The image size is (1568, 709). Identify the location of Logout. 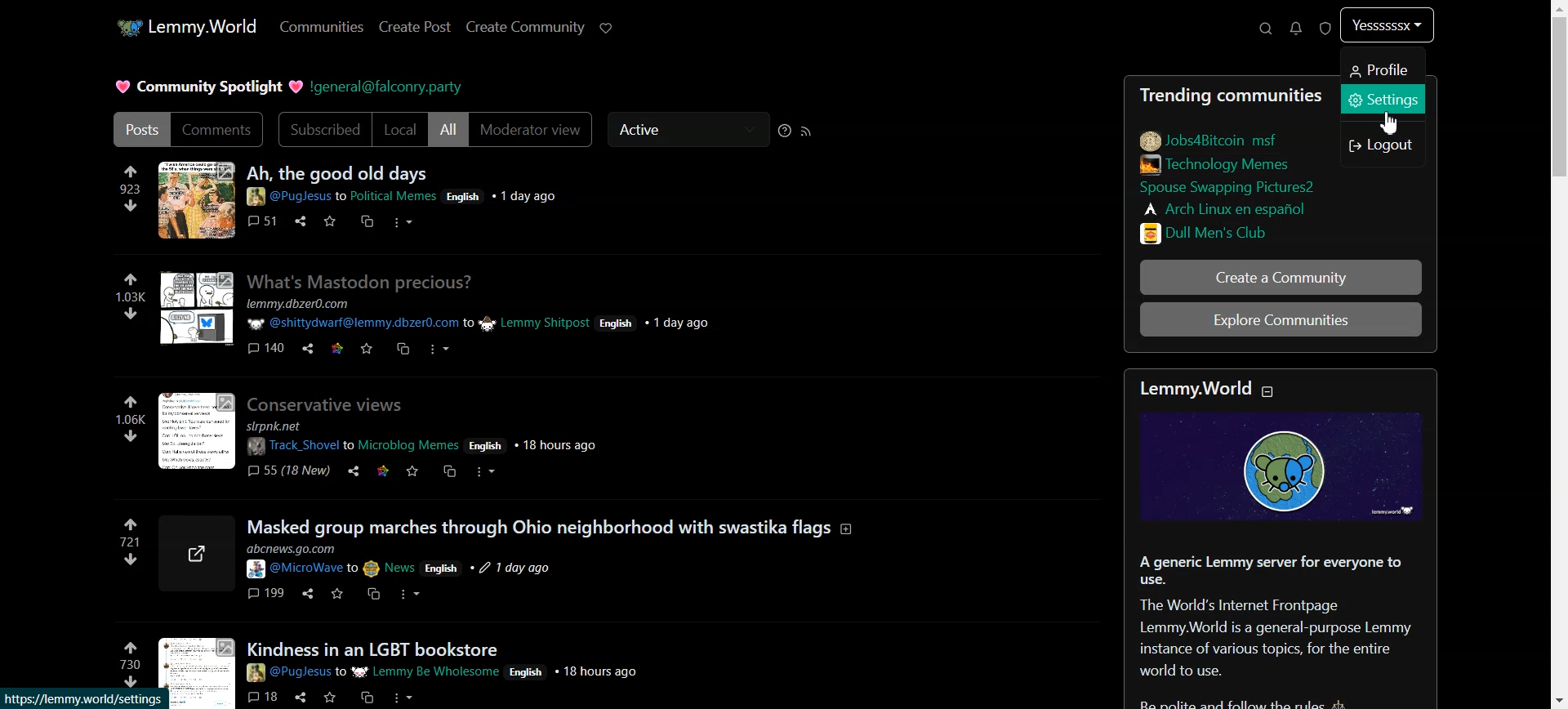
(1383, 145).